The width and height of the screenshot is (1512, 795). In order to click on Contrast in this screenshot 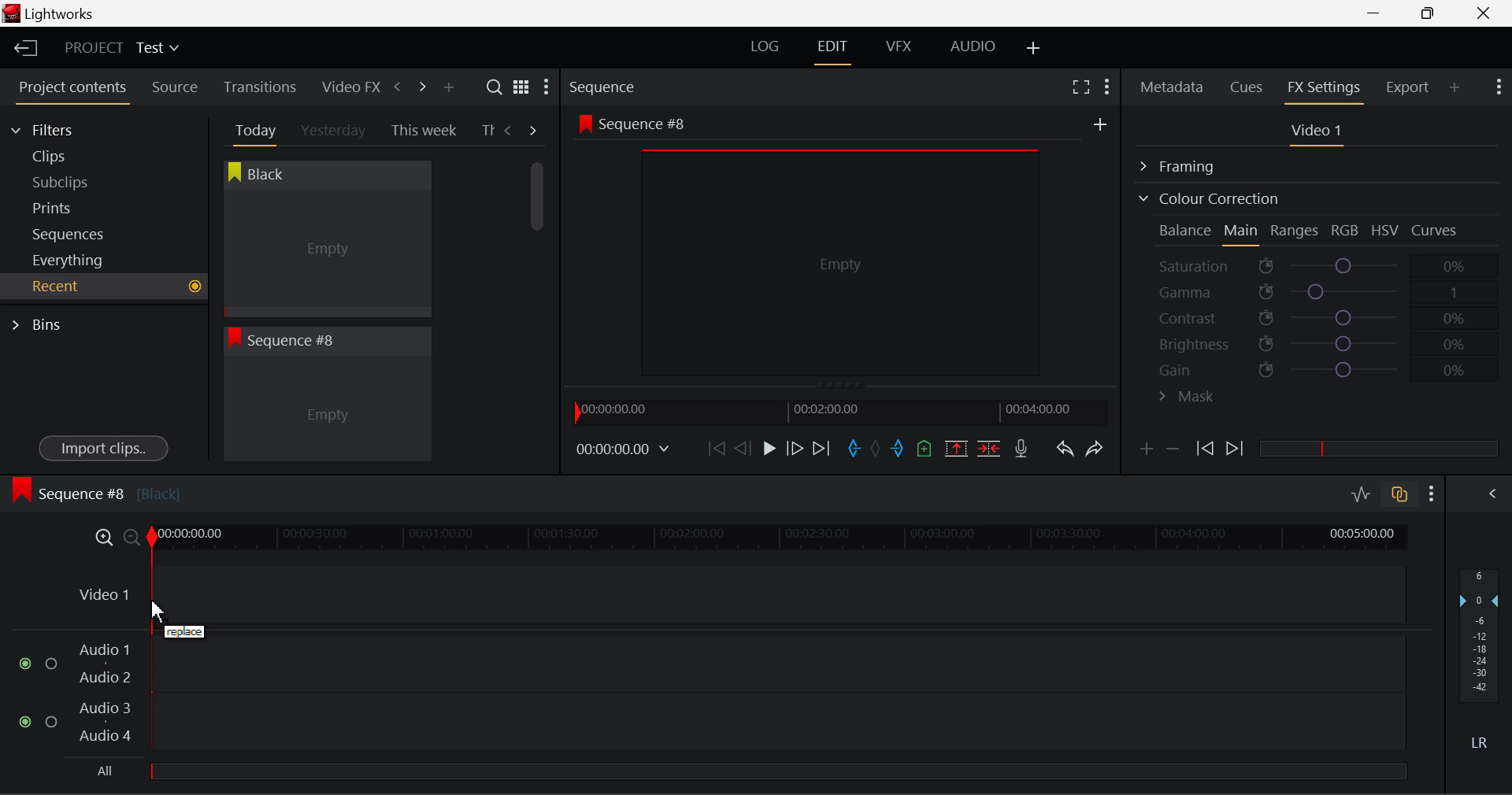, I will do `click(1318, 317)`.